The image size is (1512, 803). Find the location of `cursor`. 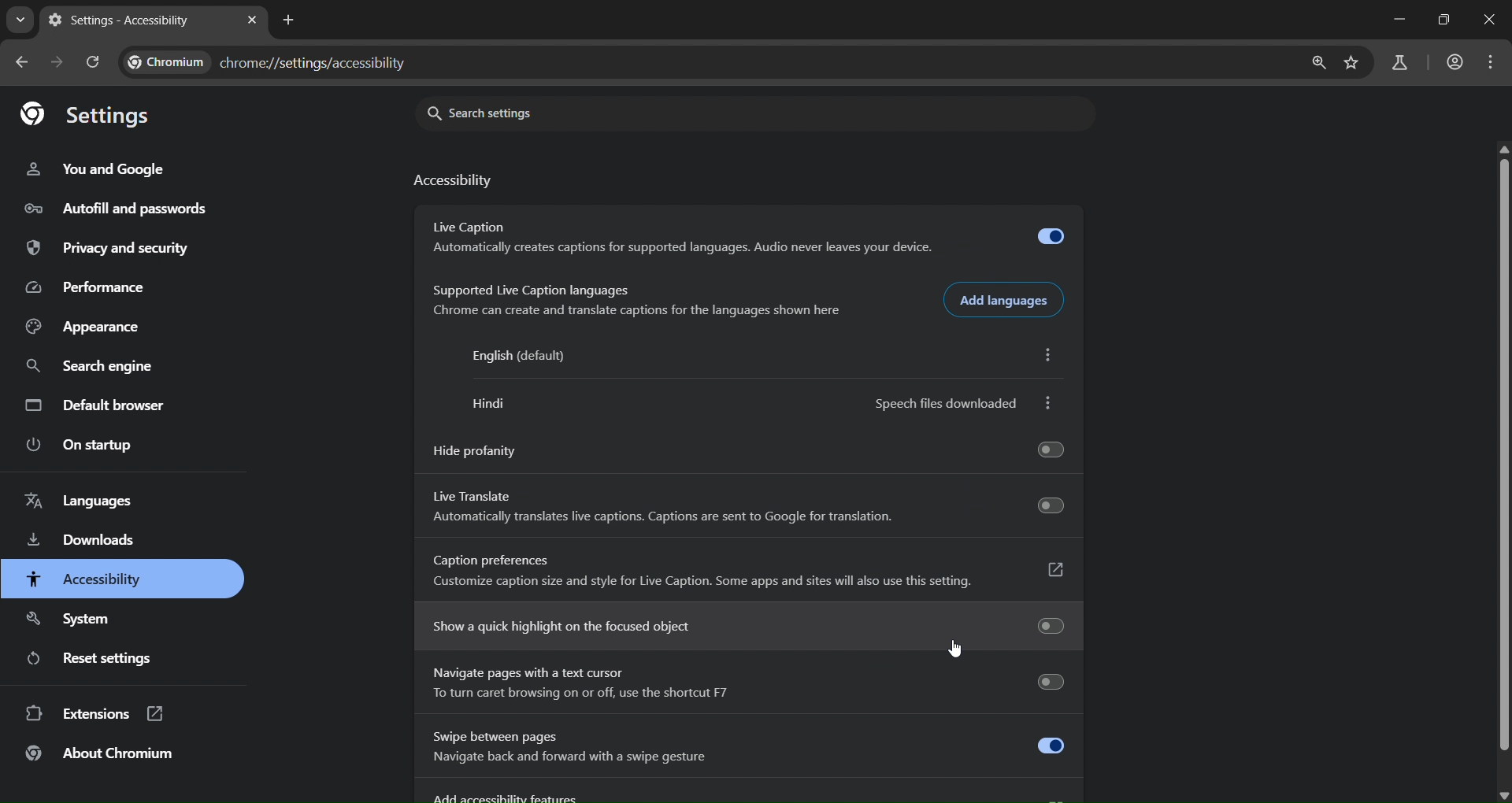

cursor is located at coordinates (953, 649).